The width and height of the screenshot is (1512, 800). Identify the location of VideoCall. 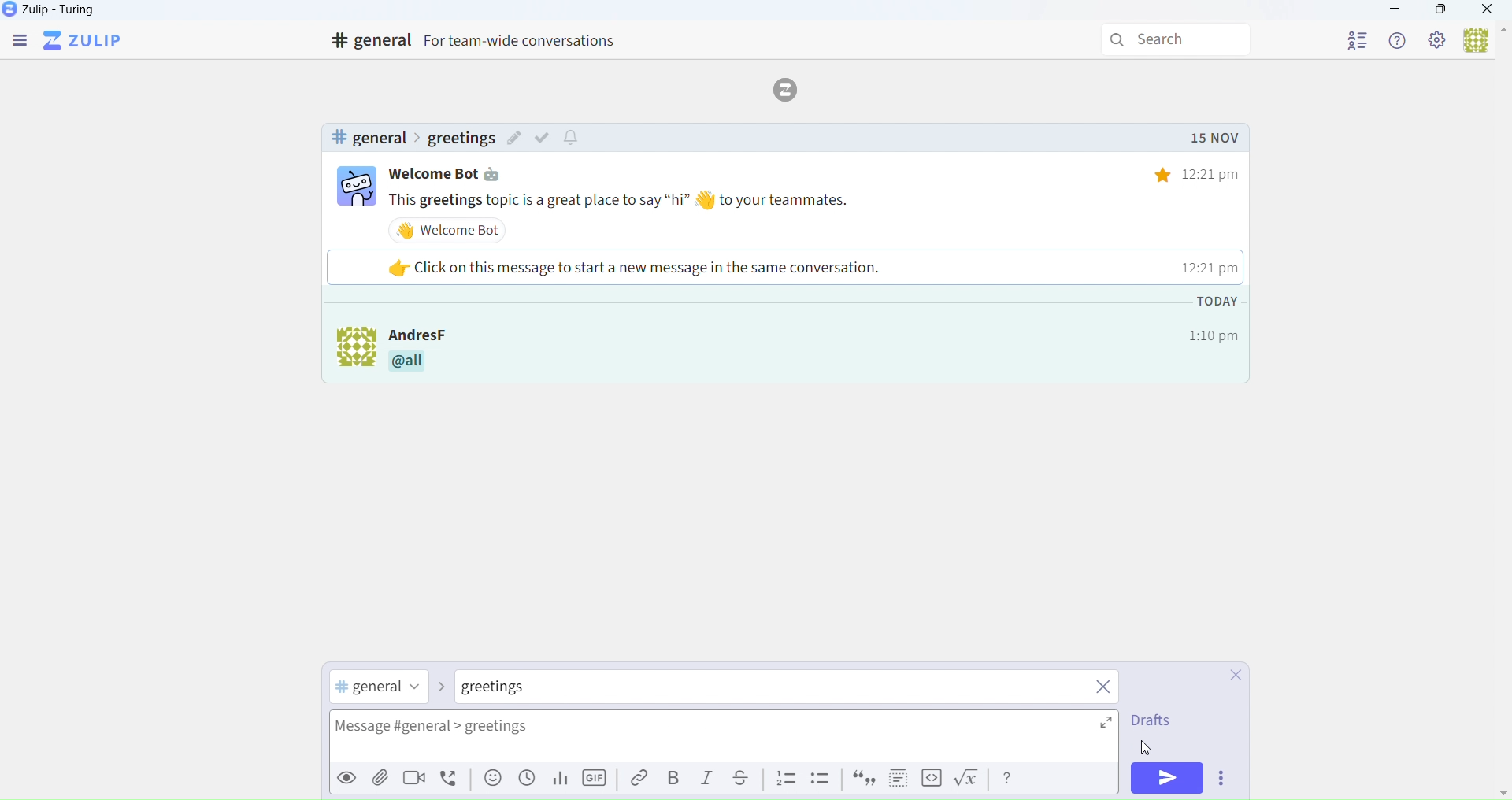
(417, 780).